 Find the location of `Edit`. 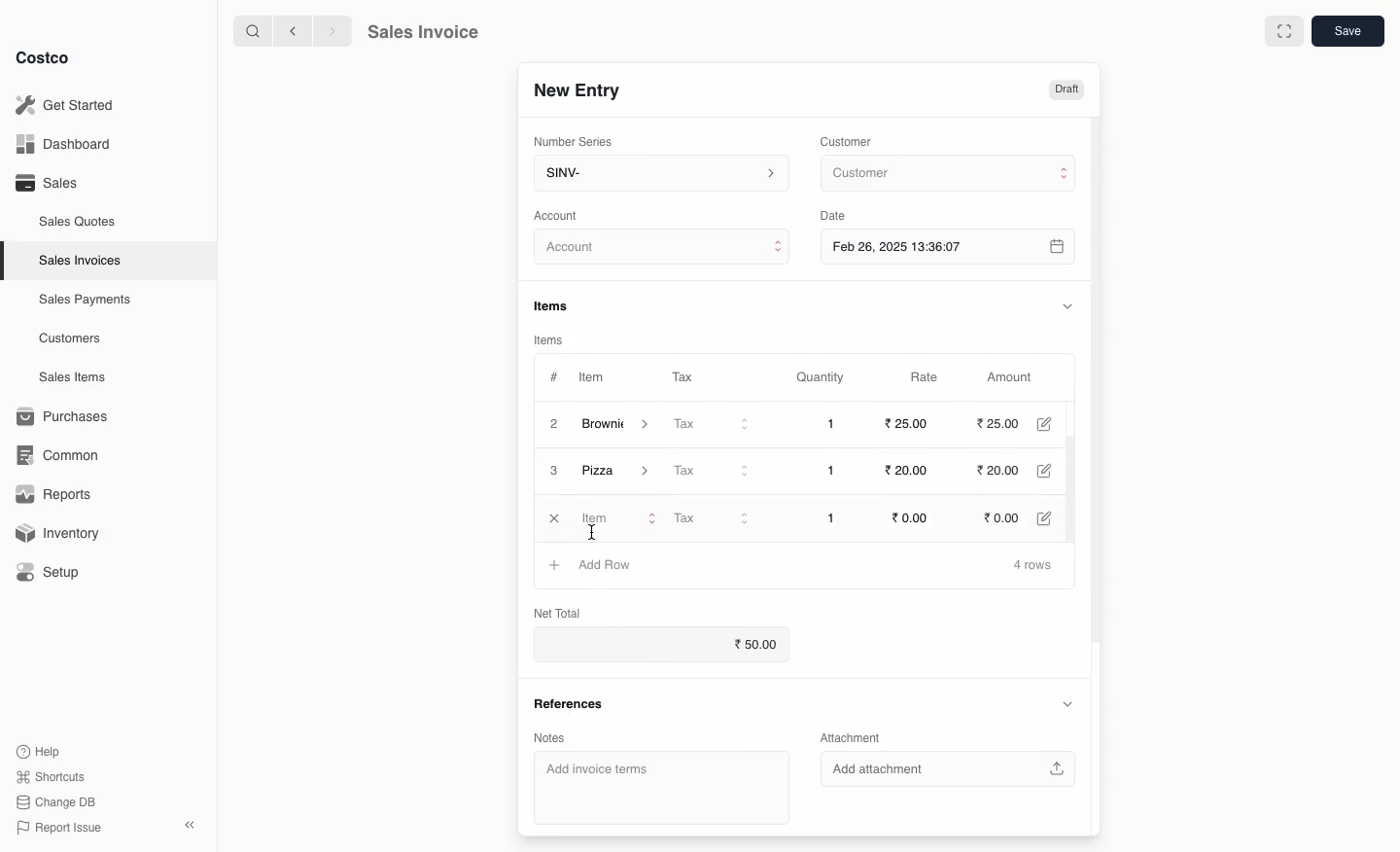

Edit is located at coordinates (1052, 424).